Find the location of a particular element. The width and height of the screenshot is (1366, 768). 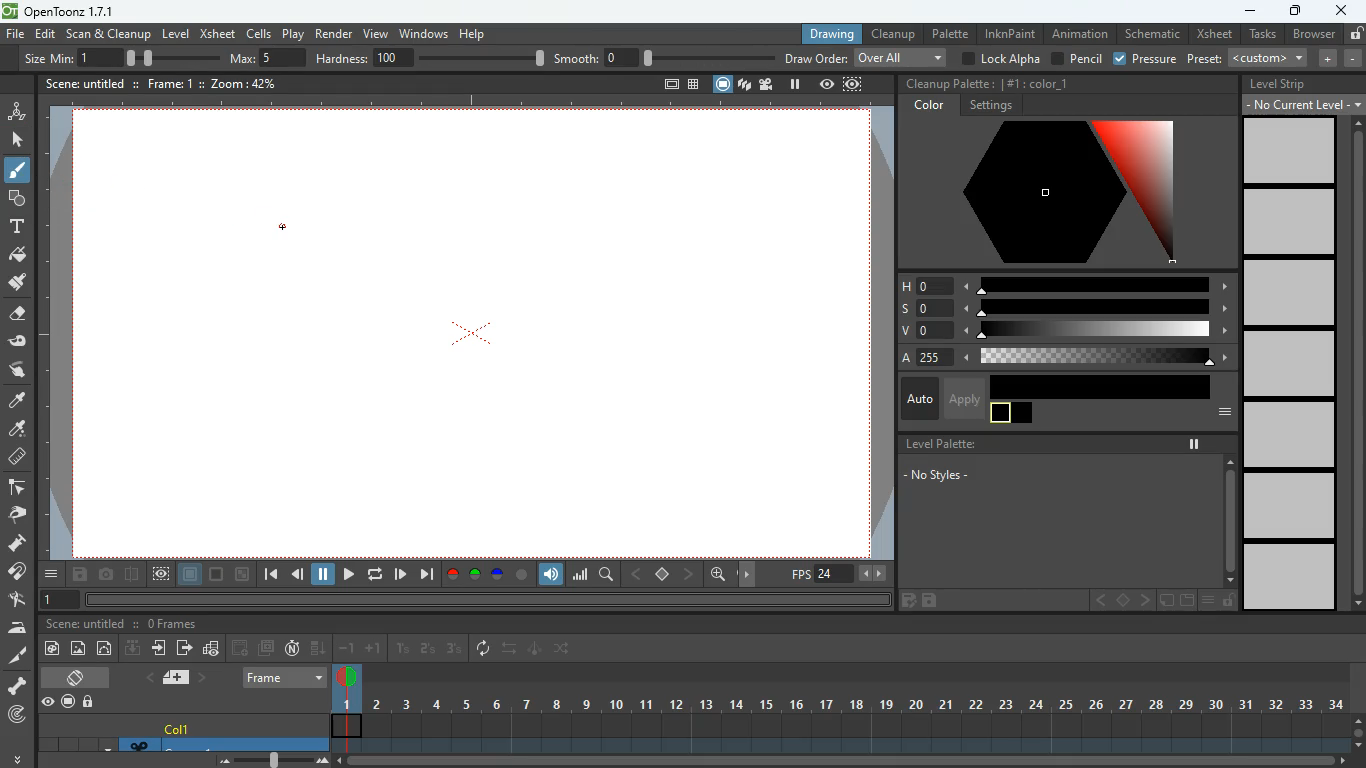

send is located at coordinates (184, 647).